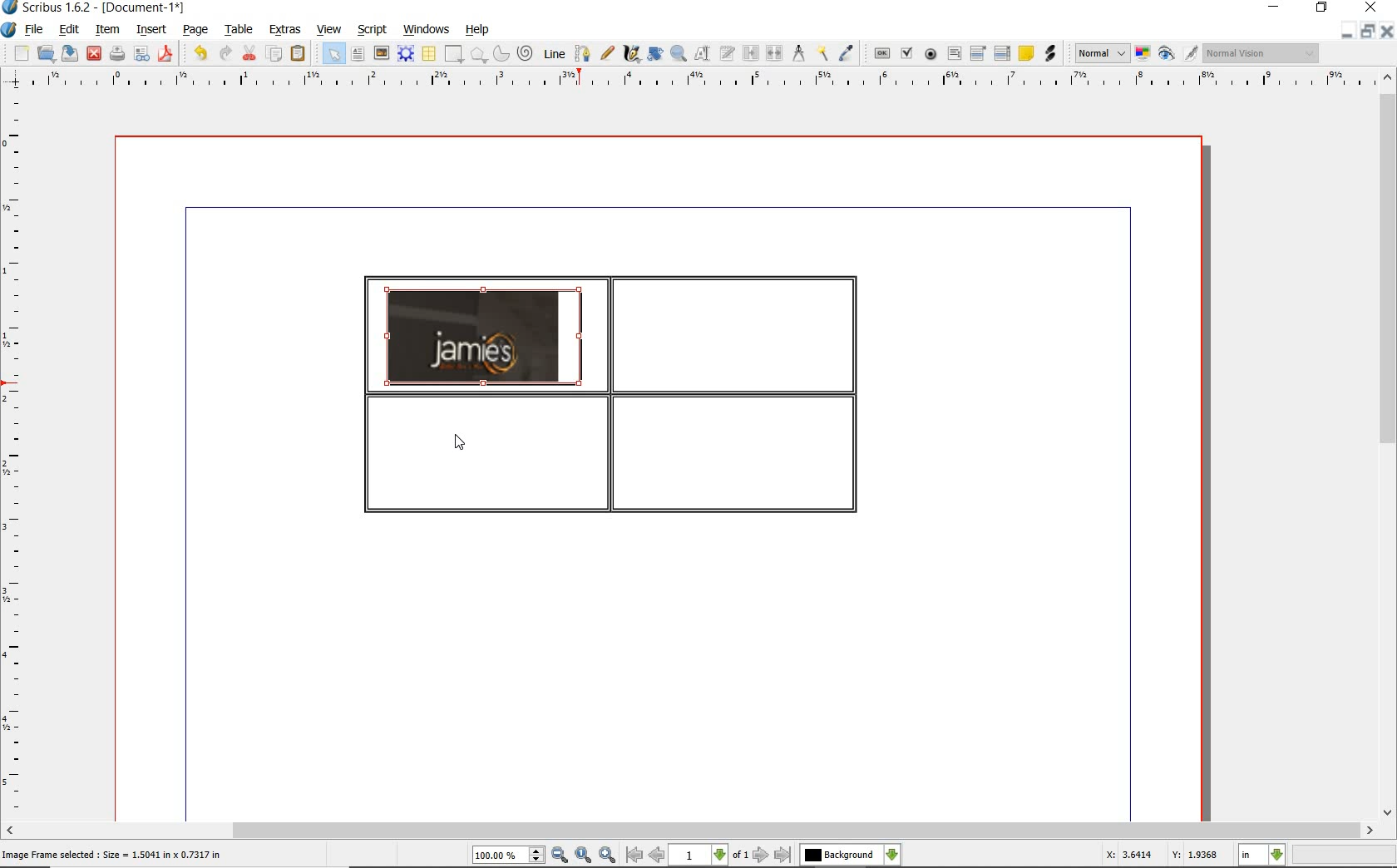 This screenshot has width=1397, height=868. What do you see at coordinates (251, 52) in the screenshot?
I see `cut` at bounding box center [251, 52].